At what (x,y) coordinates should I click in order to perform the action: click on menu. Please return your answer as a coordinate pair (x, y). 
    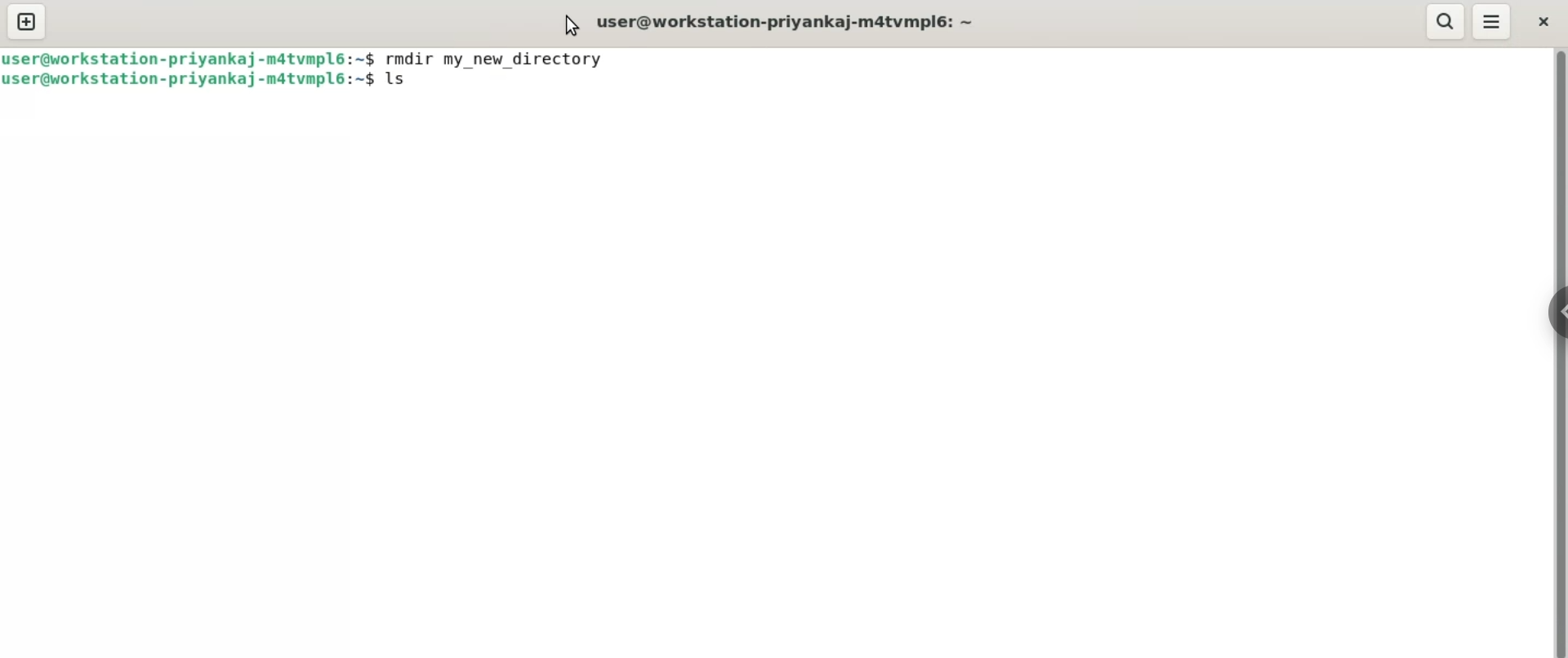
    Looking at the image, I should click on (1492, 22).